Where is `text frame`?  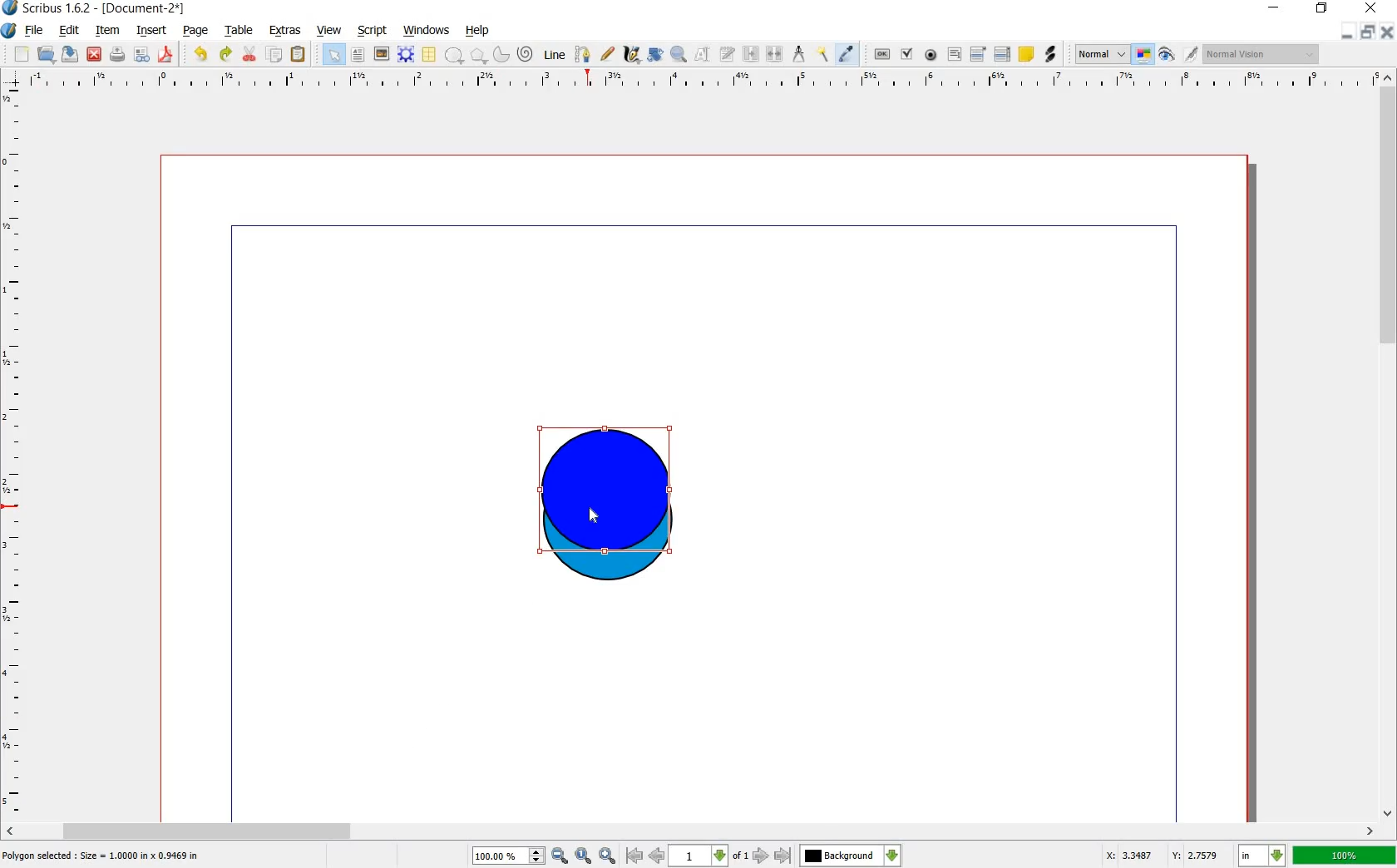 text frame is located at coordinates (358, 55).